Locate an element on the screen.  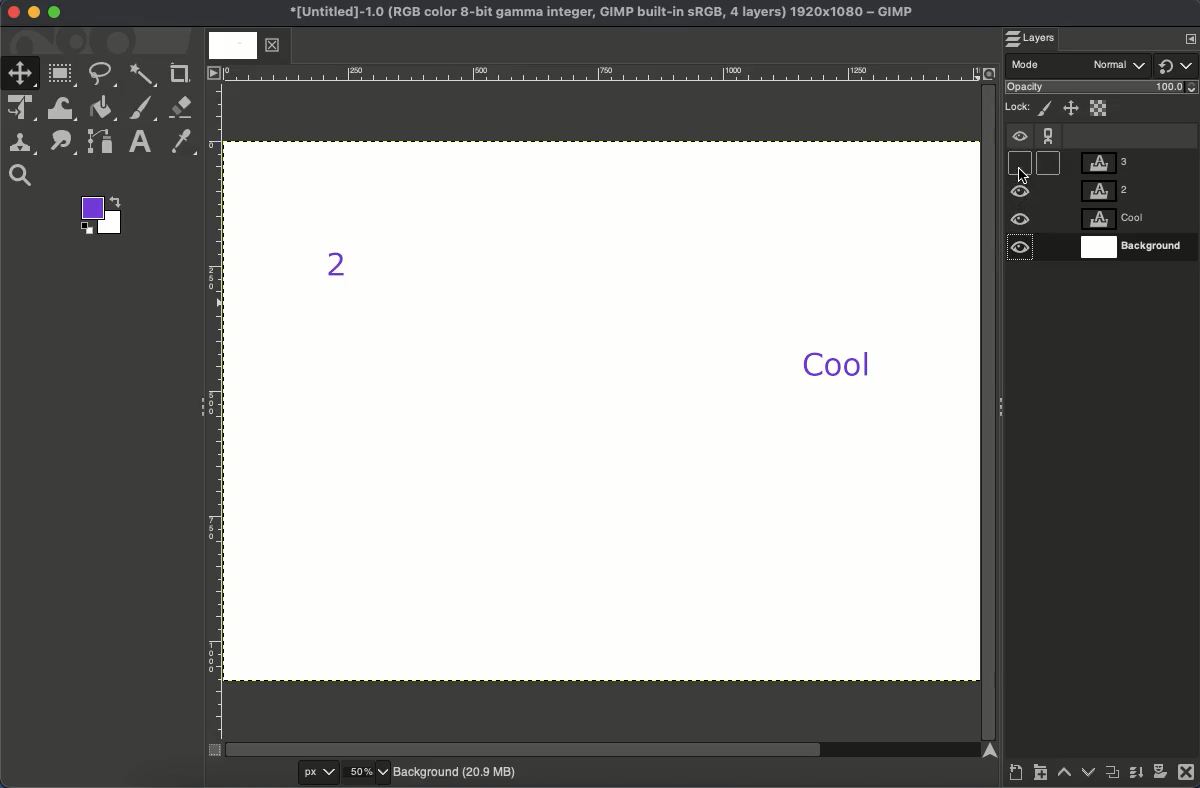
Lower layer is located at coordinates (1087, 775).